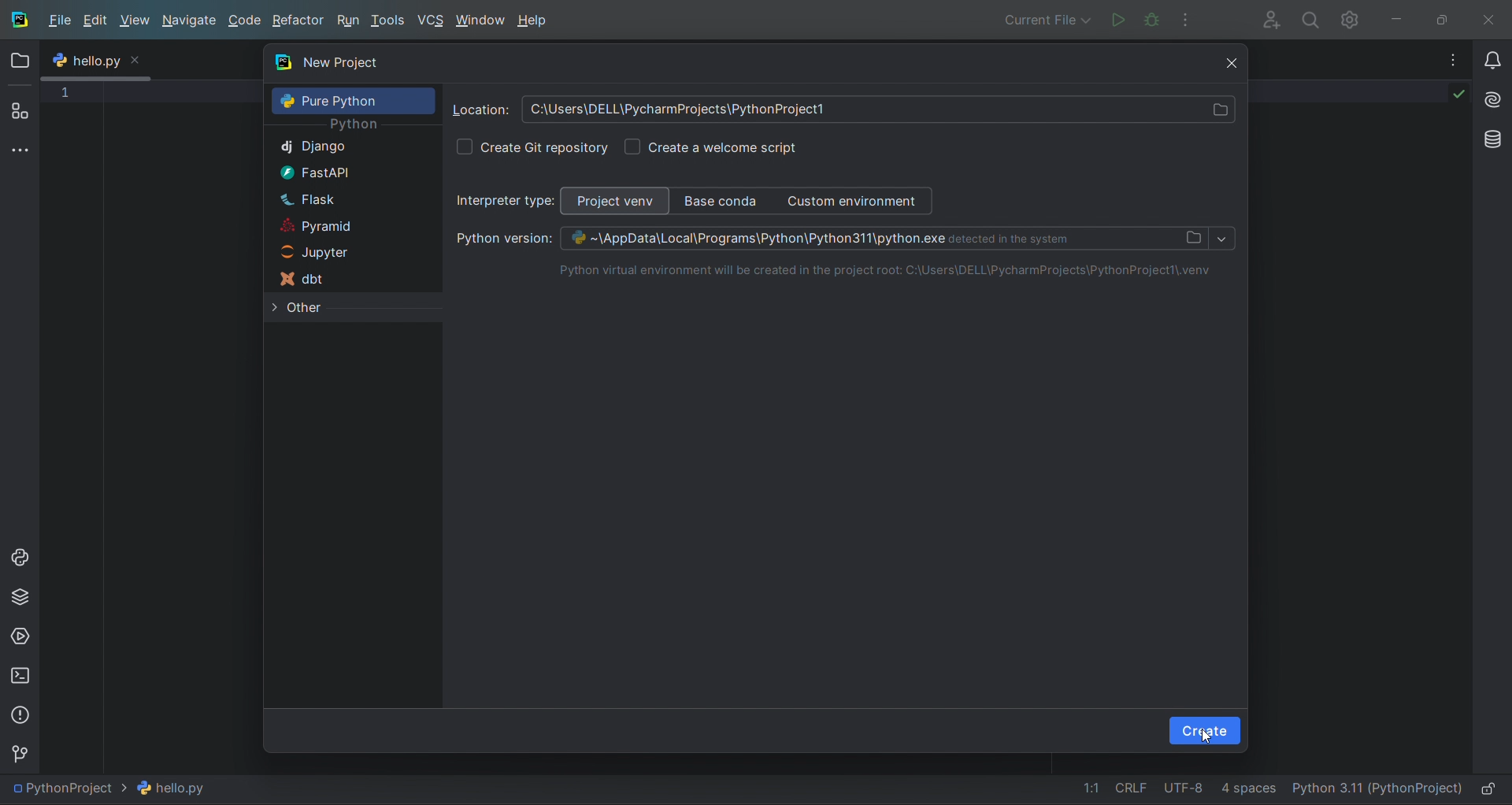 The width and height of the screenshot is (1512, 805). What do you see at coordinates (19, 19) in the screenshot?
I see `logo` at bounding box center [19, 19].